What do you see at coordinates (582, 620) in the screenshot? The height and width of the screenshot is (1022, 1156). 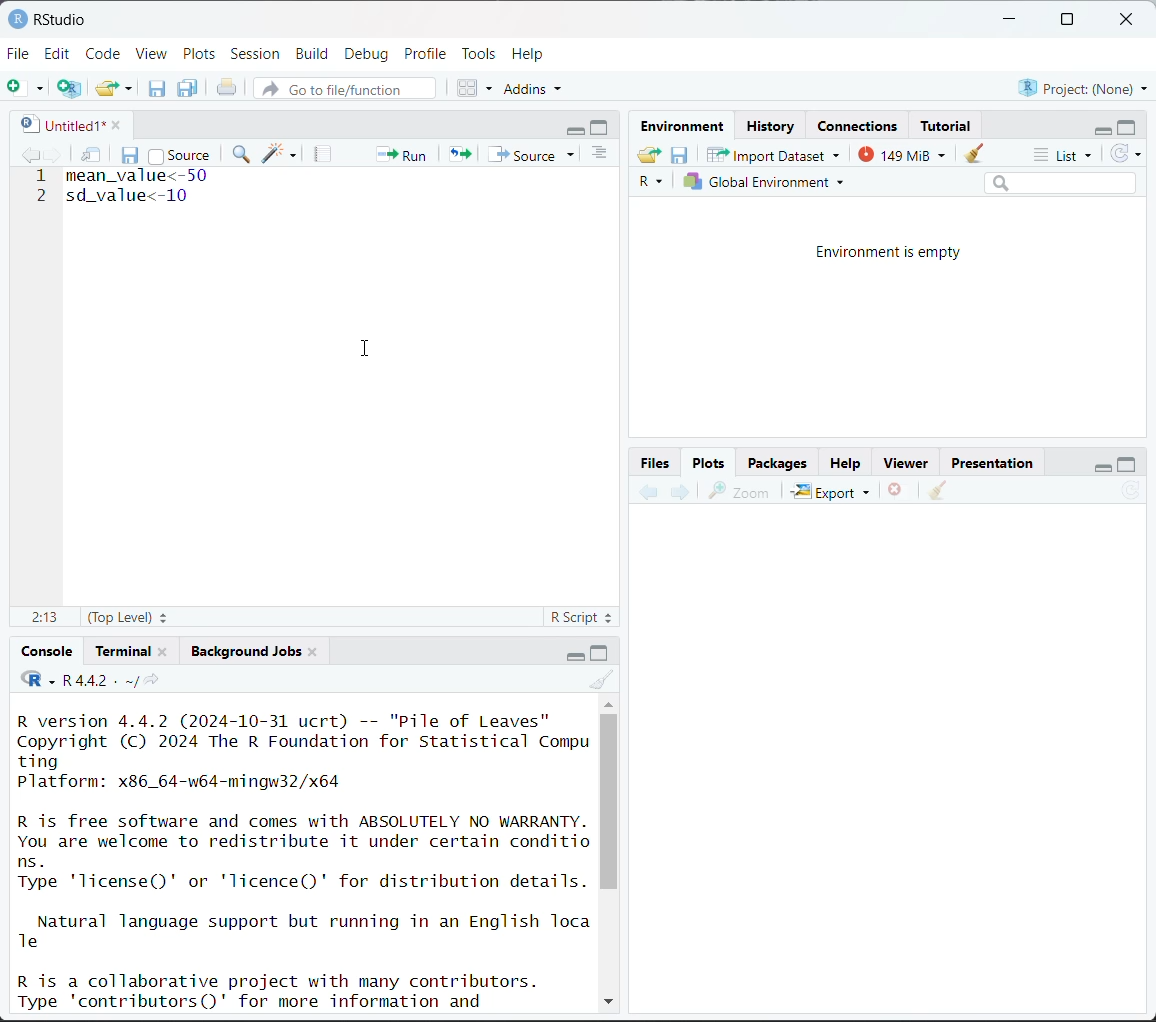 I see `R script` at bounding box center [582, 620].